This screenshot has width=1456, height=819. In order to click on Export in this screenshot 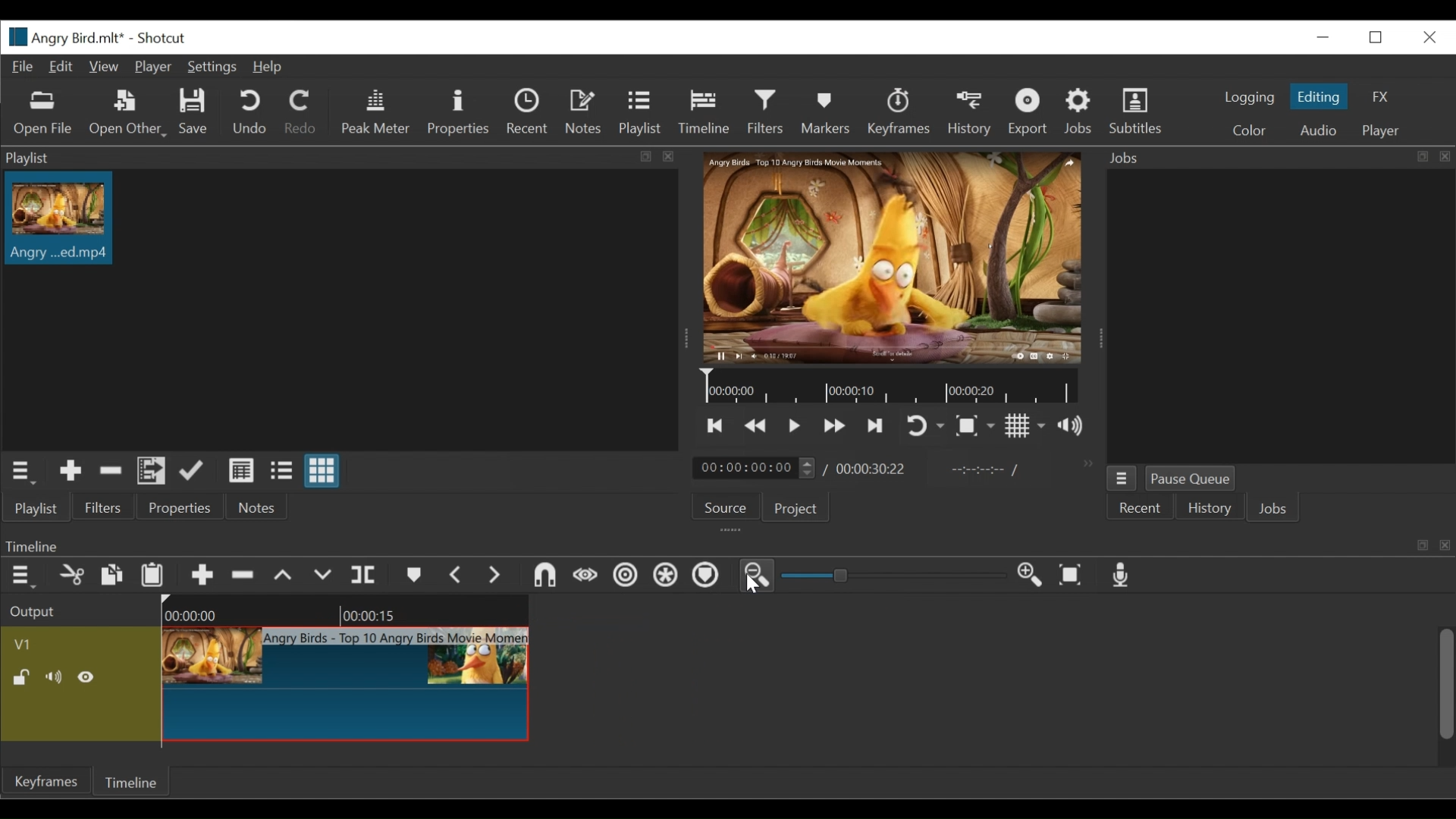, I will do `click(1028, 111)`.